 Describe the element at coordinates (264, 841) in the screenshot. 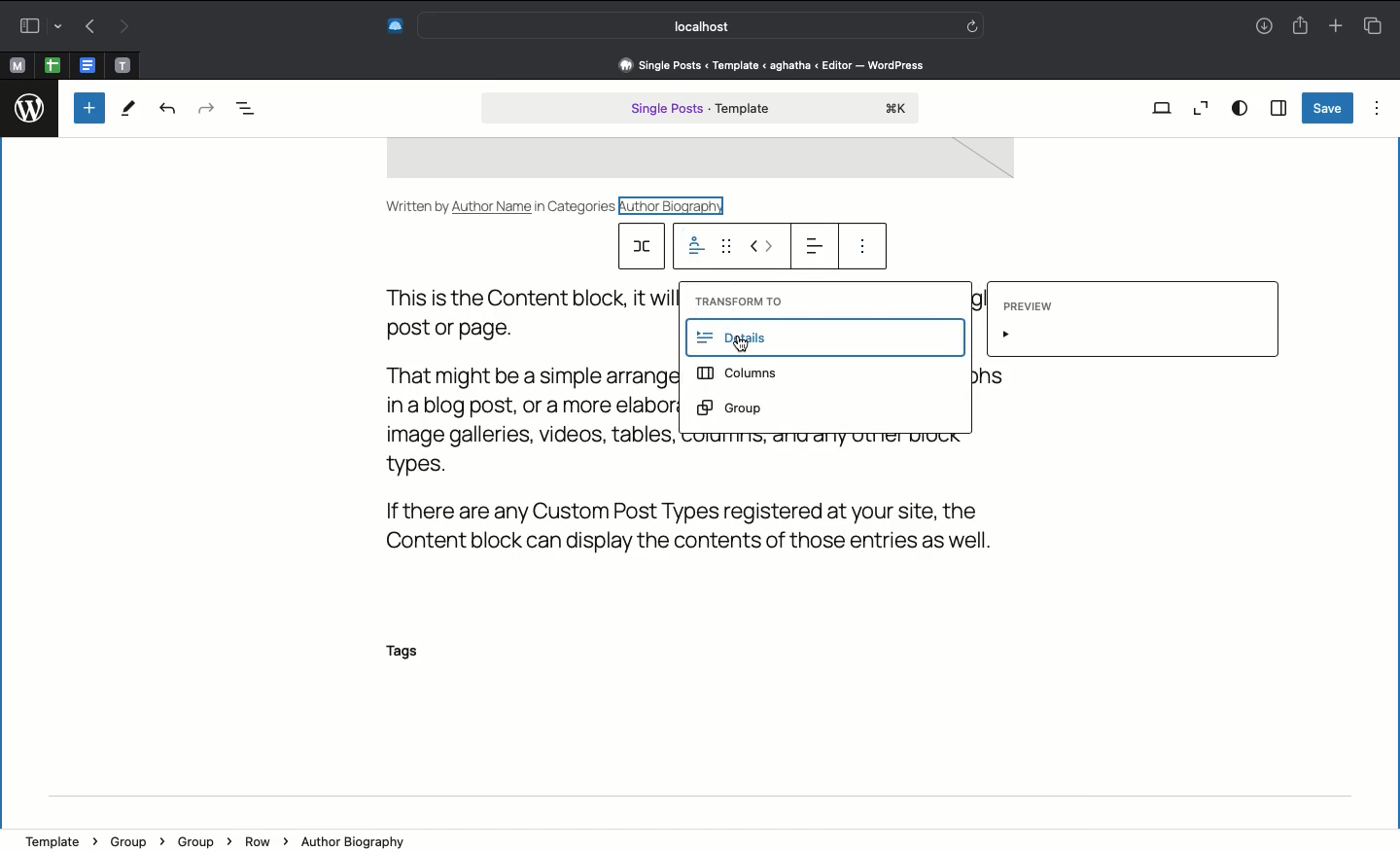

I see `Row` at that location.